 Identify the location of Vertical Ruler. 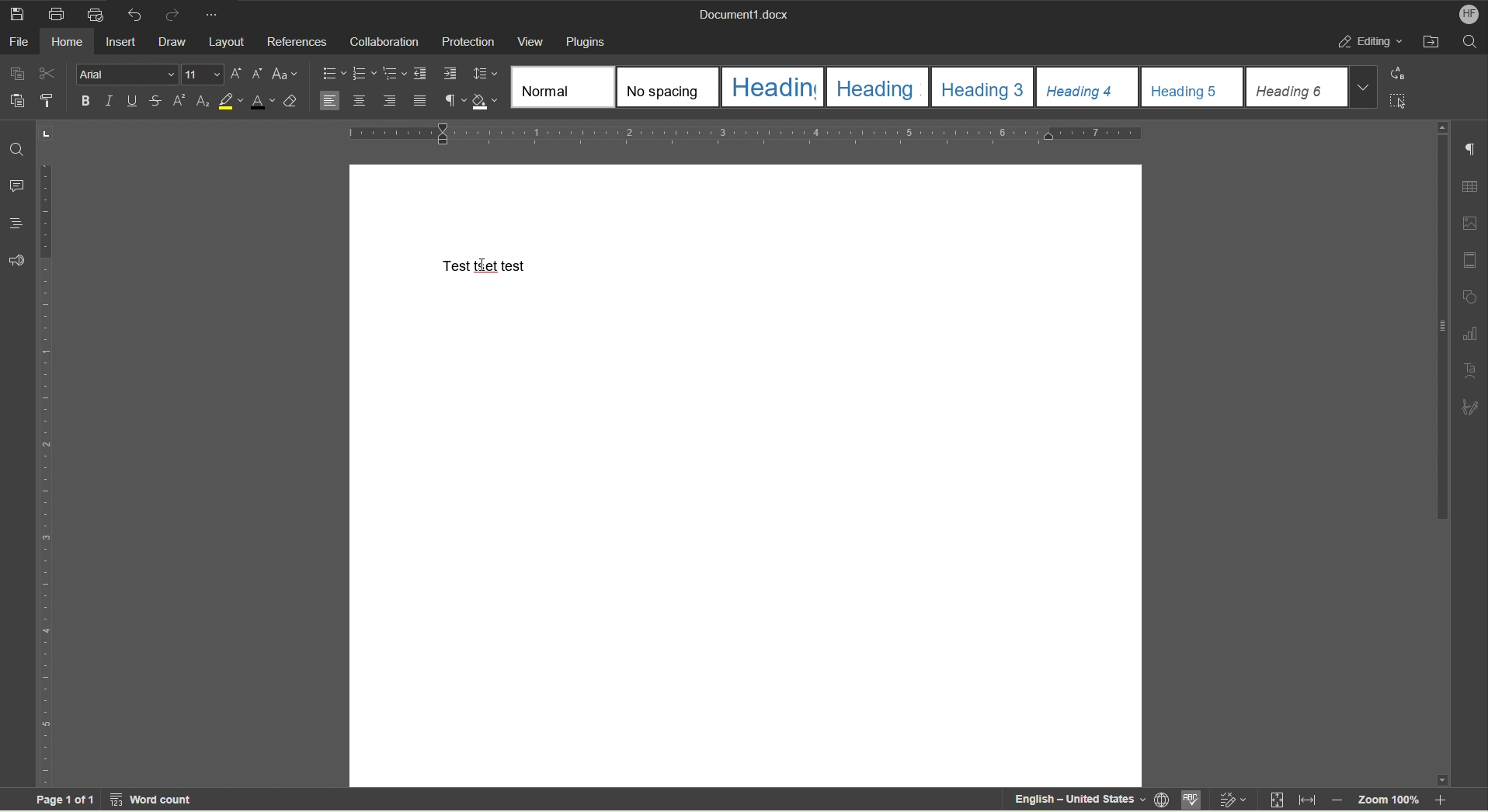
(45, 473).